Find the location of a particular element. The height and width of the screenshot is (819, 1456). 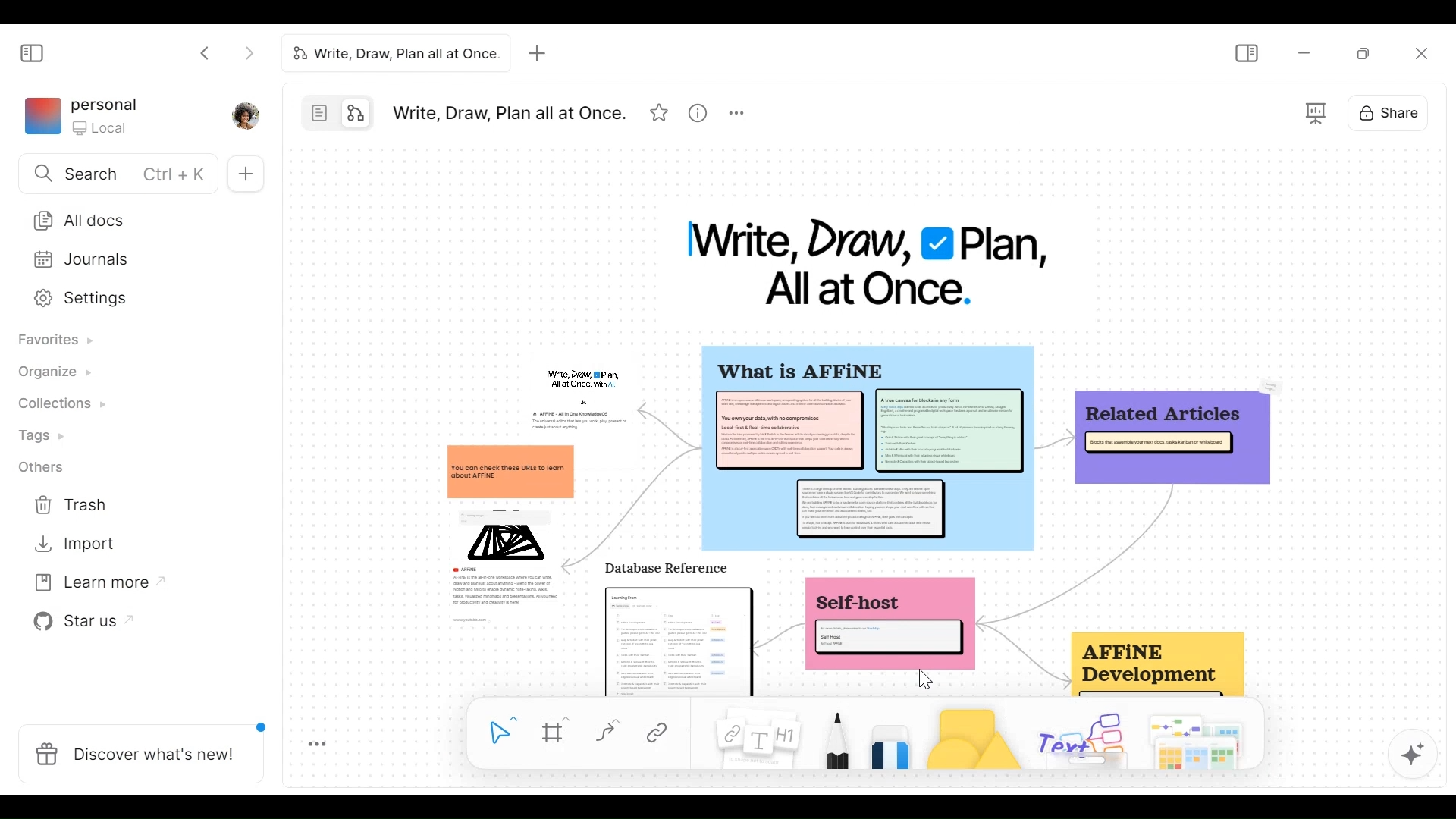

Discover what's new is located at coordinates (140, 751).